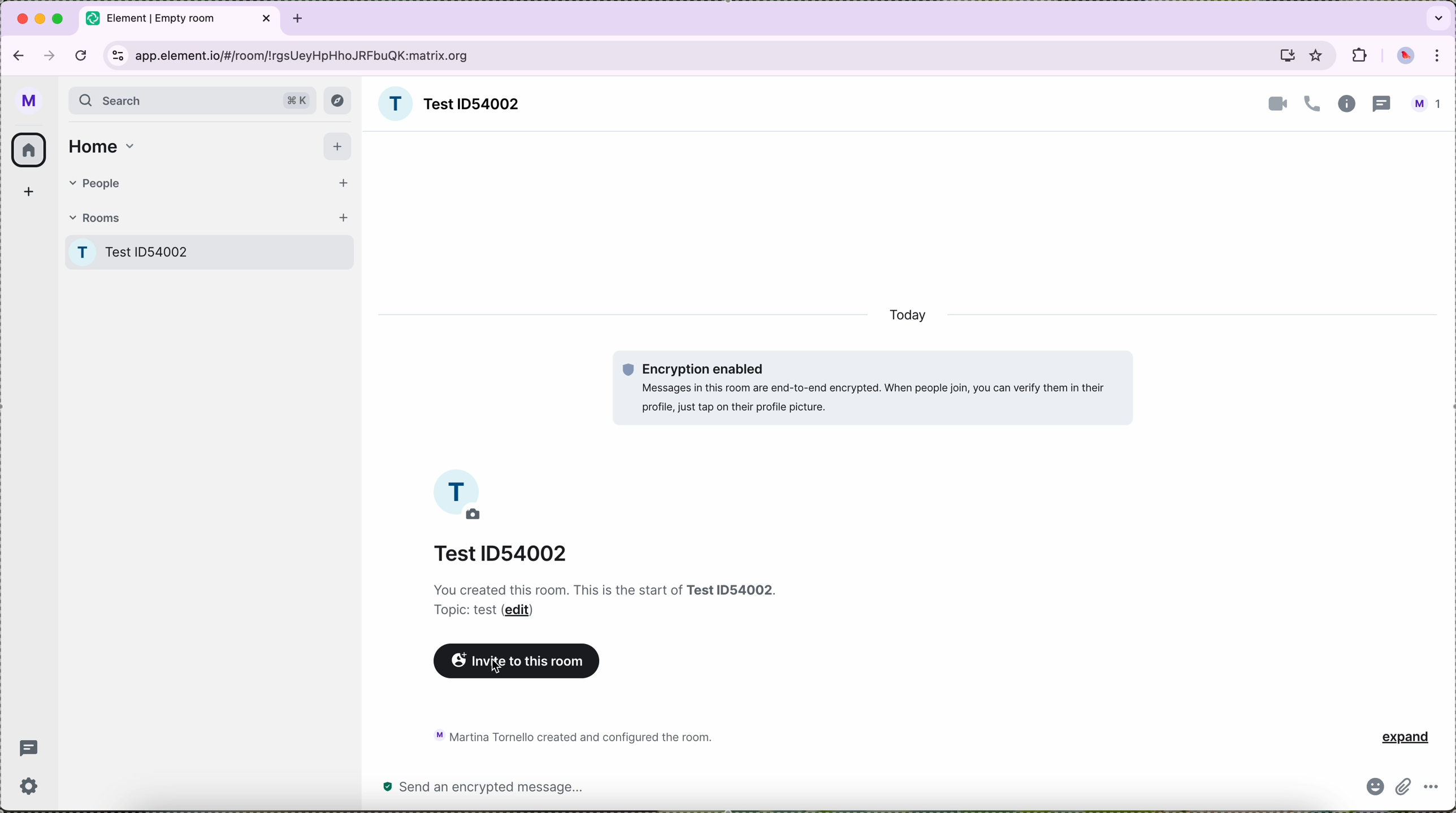  Describe the element at coordinates (506, 554) in the screenshot. I see `Test ID 54002` at that location.